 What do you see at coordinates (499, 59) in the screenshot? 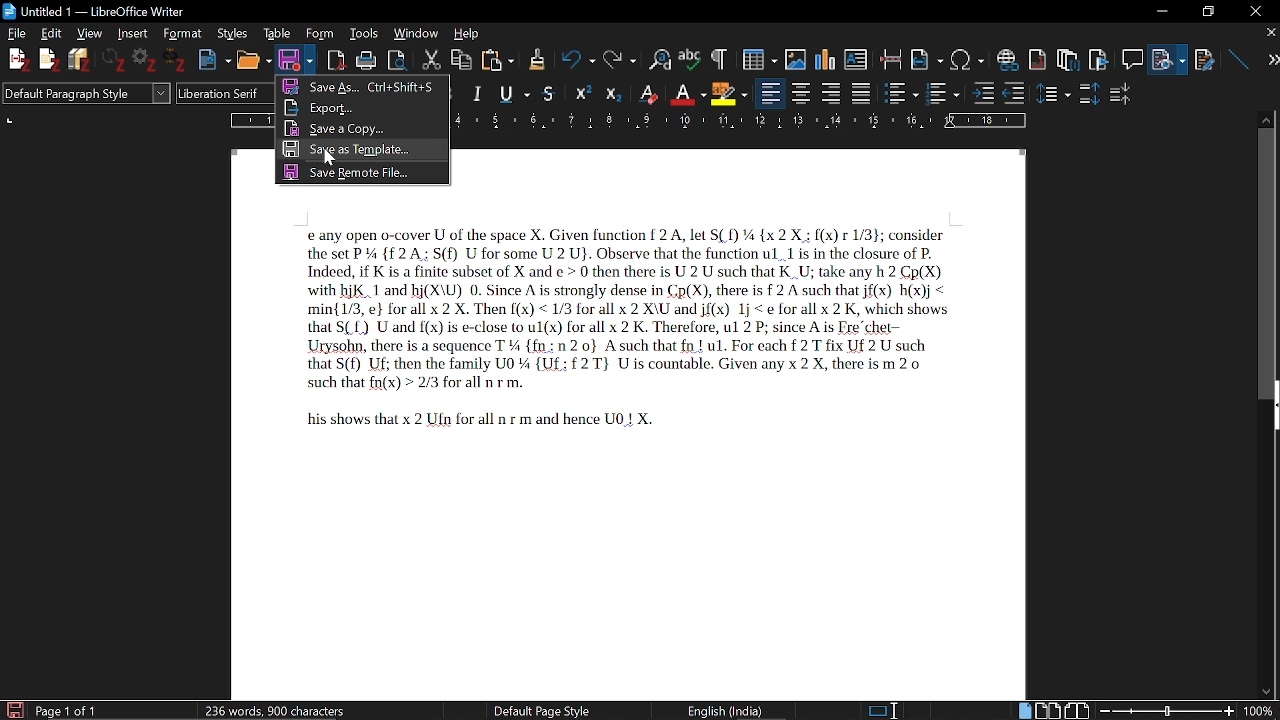
I see `Paste` at bounding box center [499, 59].